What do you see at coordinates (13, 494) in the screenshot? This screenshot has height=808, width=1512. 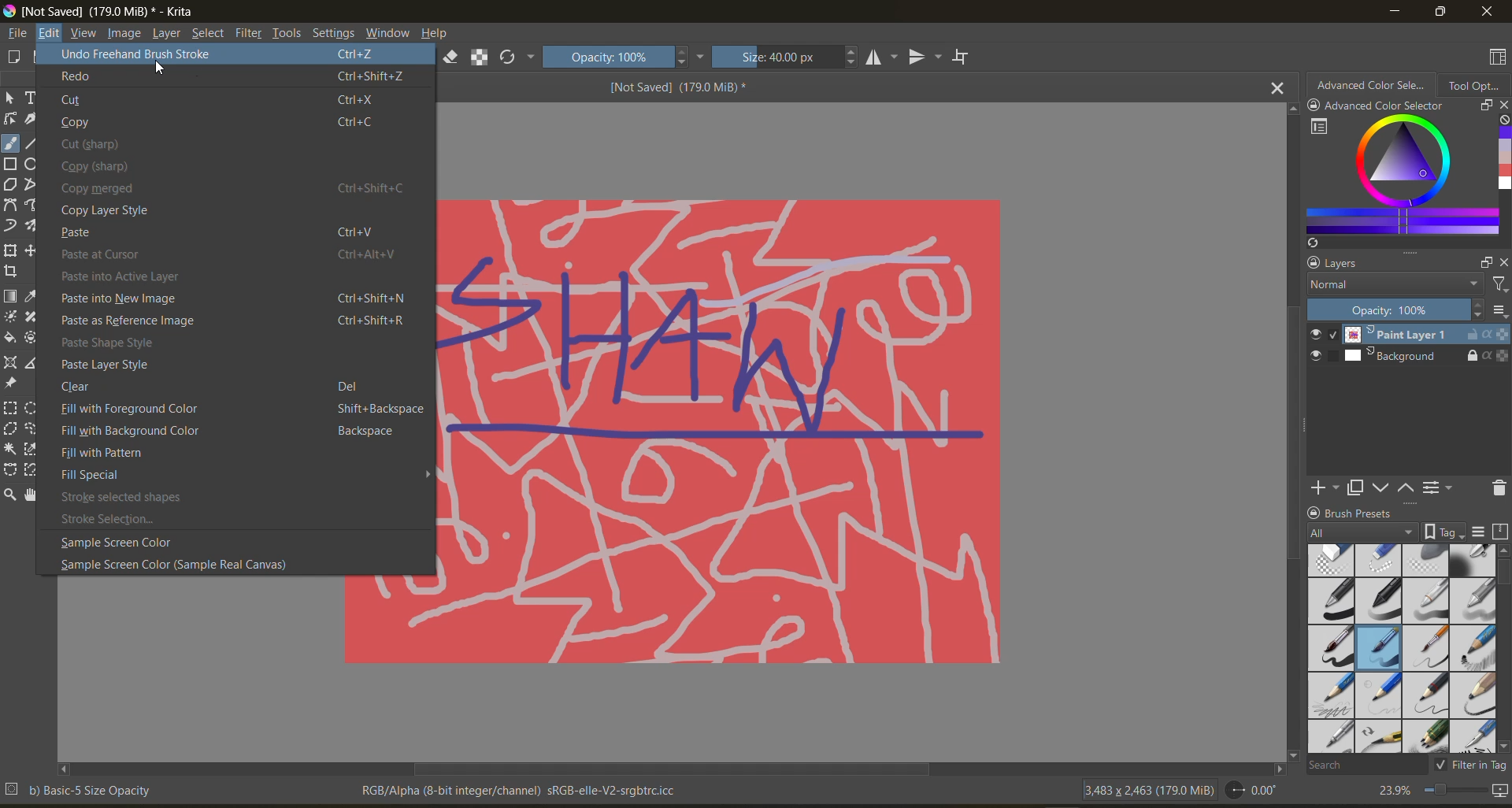 I see `zoom tool` at bounding box center [13, 494].